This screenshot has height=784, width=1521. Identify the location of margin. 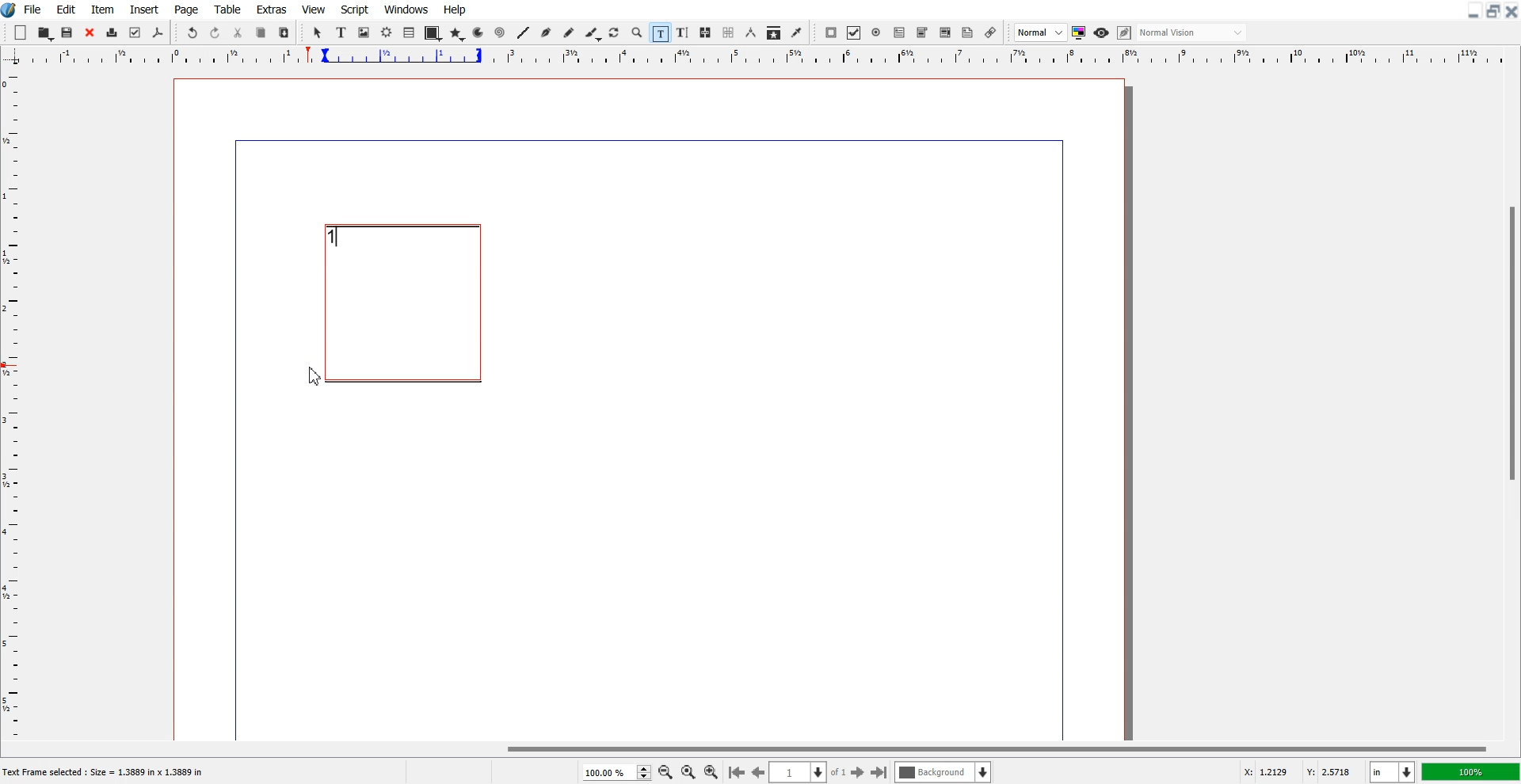
(641, 138).